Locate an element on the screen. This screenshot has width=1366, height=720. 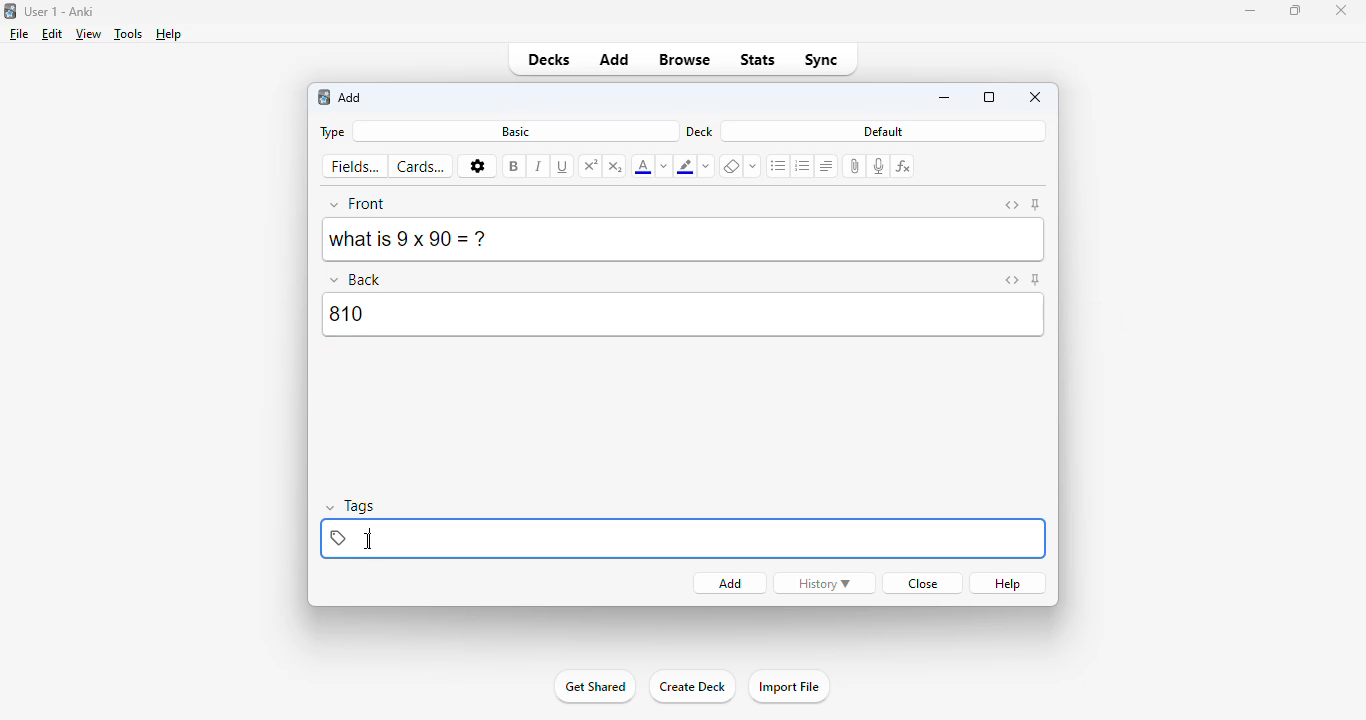
help is located at coordinates (169, 34).